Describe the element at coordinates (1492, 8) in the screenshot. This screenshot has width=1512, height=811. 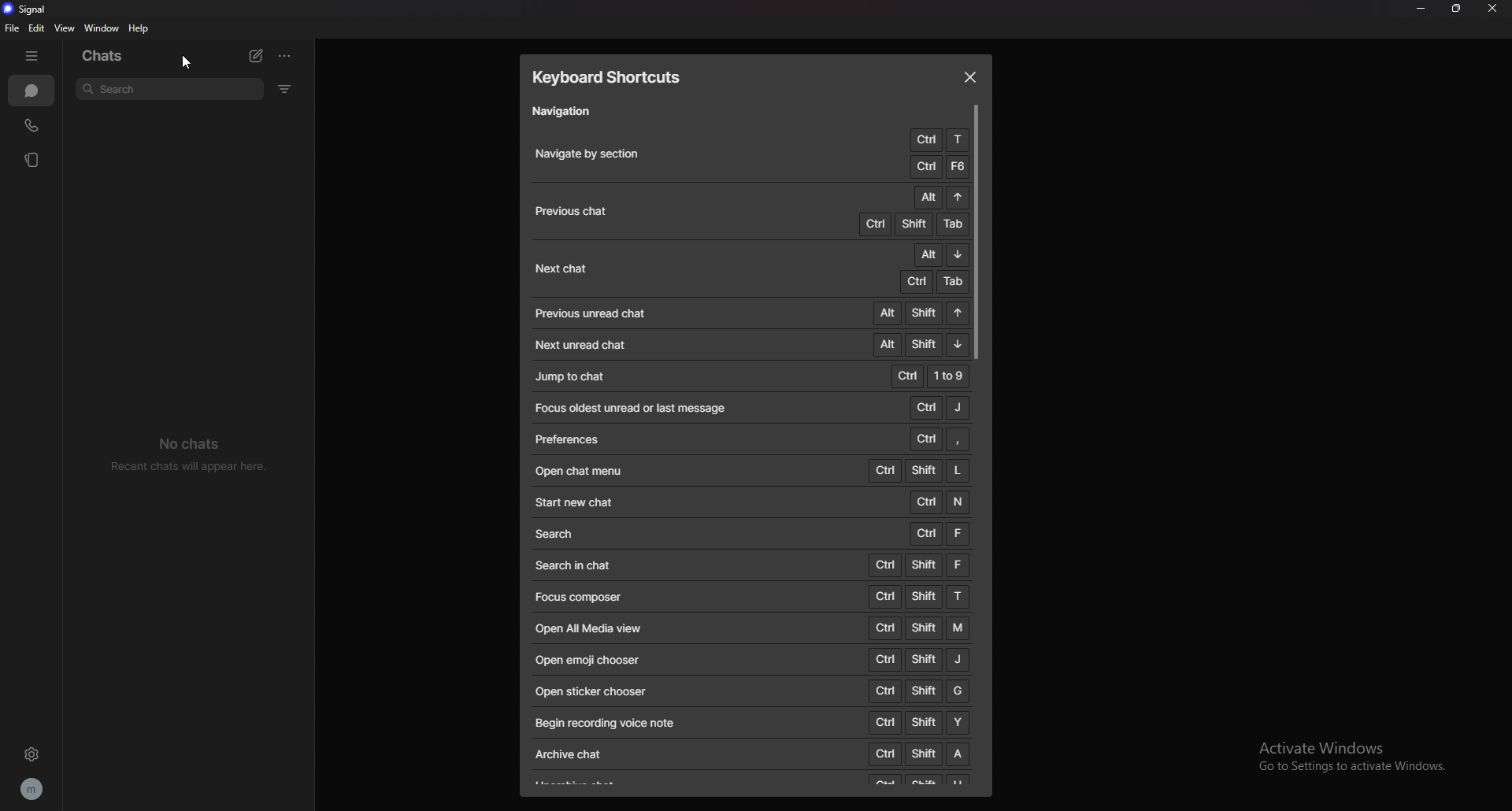
I see `close` at that location.